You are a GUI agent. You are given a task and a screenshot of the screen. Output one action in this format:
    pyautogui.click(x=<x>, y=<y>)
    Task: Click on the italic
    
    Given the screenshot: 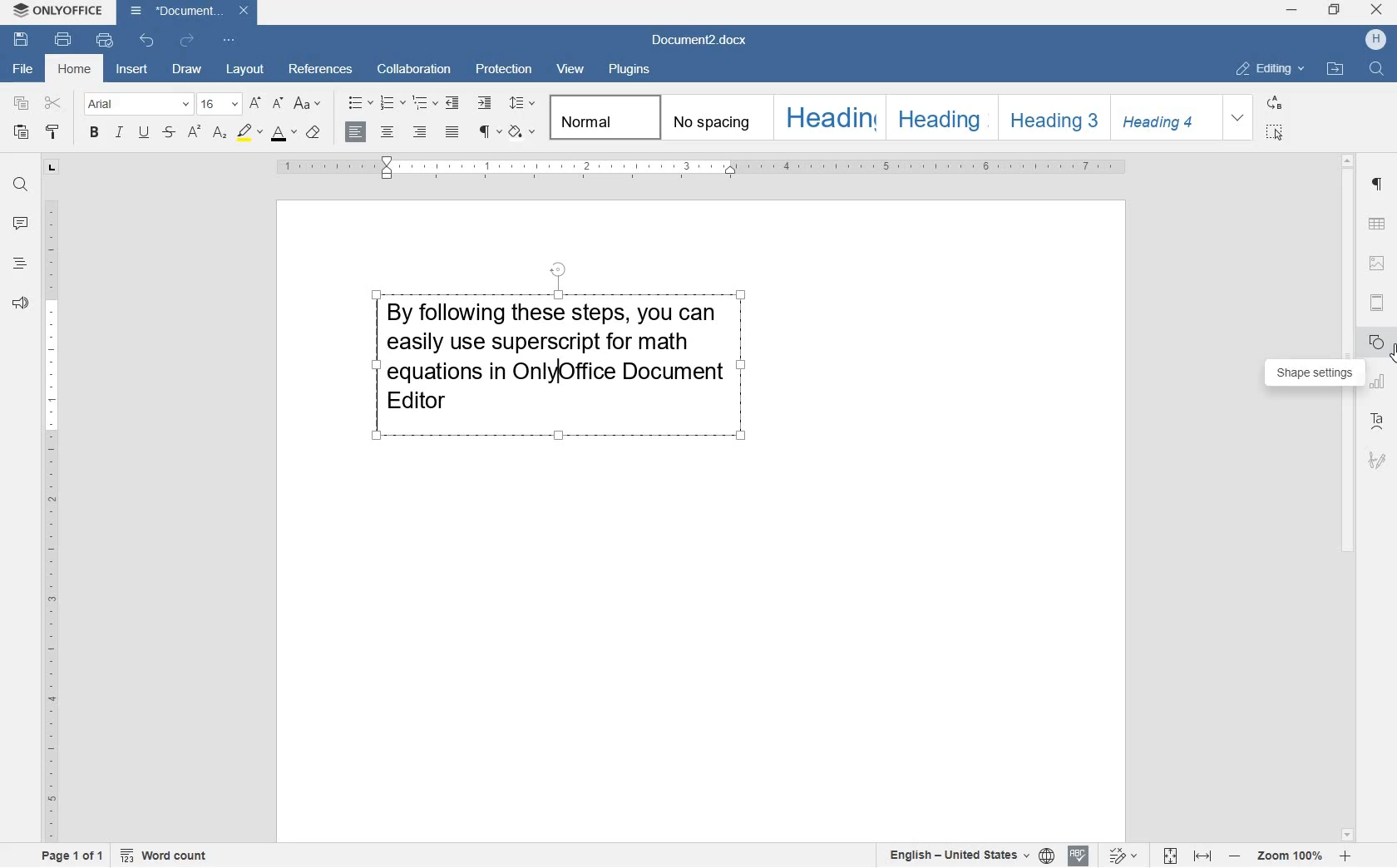 What is the action you would take?
    pyautogui.click(x=118, y=132)
    